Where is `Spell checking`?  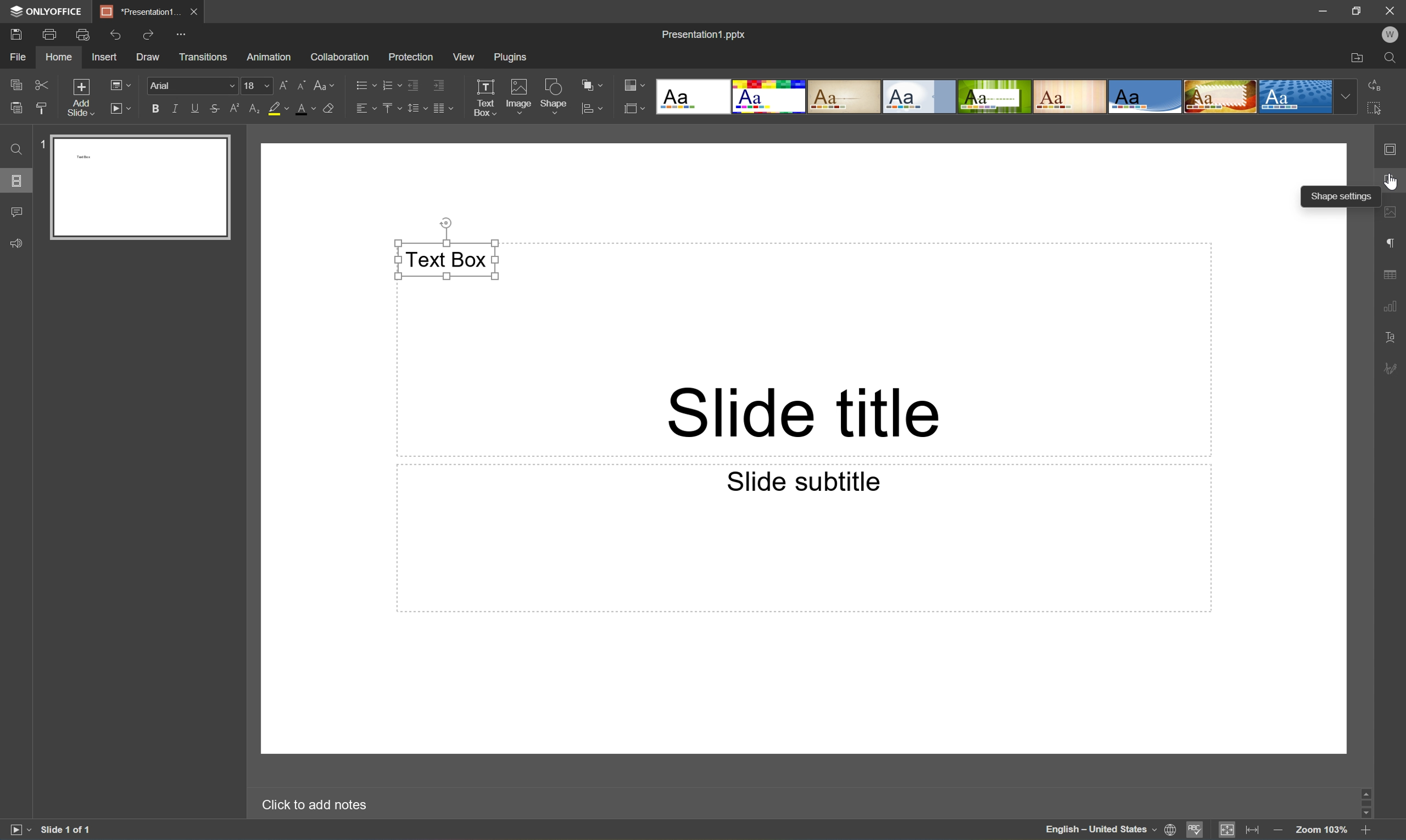
Spell checking is located at coordinates (1194, 832).